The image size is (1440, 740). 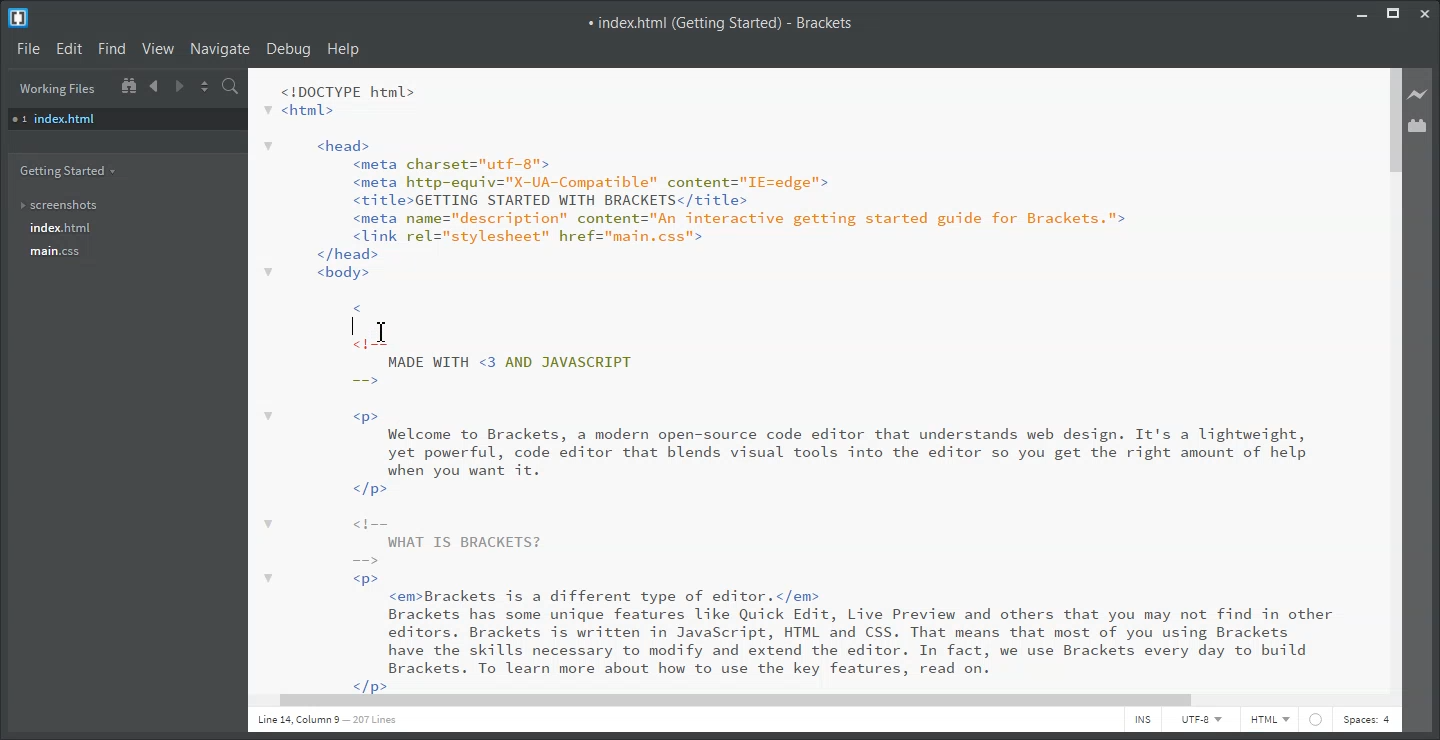 What do you see at coordinates (57, 89) in the screenshot?
I see `Working Files` at bounding box center [57, 89].